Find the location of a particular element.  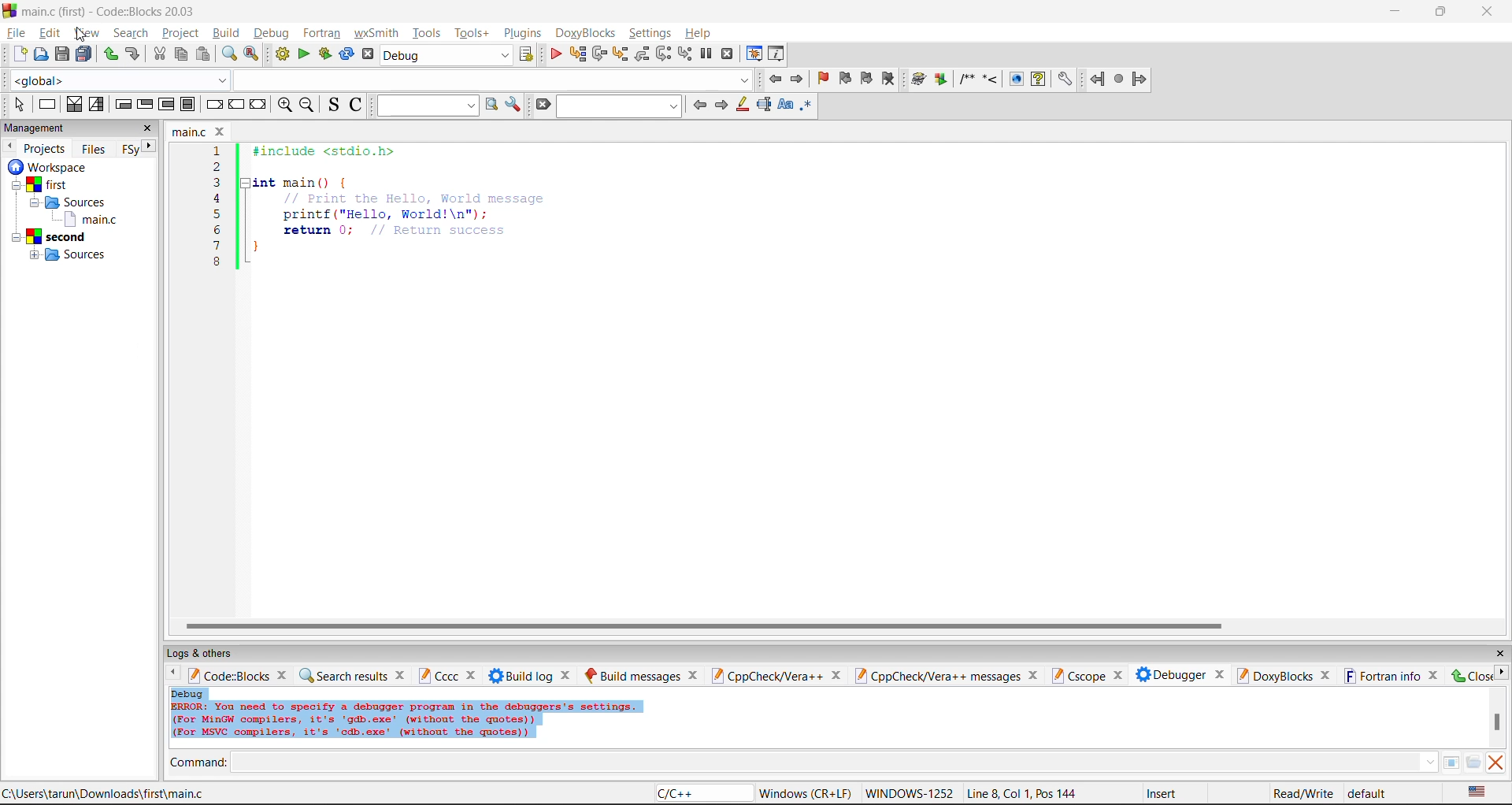

search is located at coordinates (131, 33).